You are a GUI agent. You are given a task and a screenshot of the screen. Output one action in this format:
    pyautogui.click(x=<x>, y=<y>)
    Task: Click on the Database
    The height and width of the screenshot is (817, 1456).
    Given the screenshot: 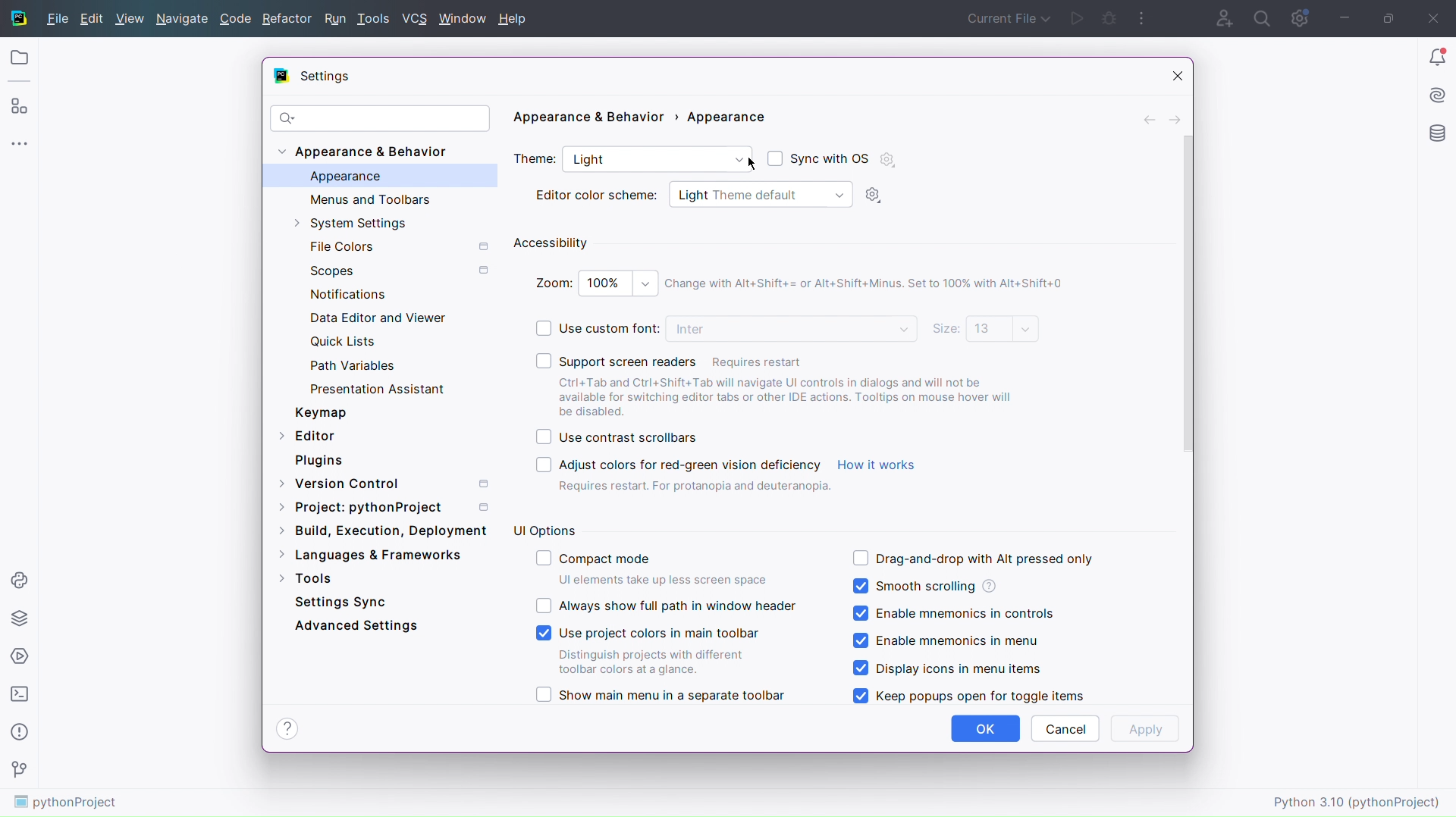 What is the action you would take?
    pyautogui.click(x=1439, y=135)
    